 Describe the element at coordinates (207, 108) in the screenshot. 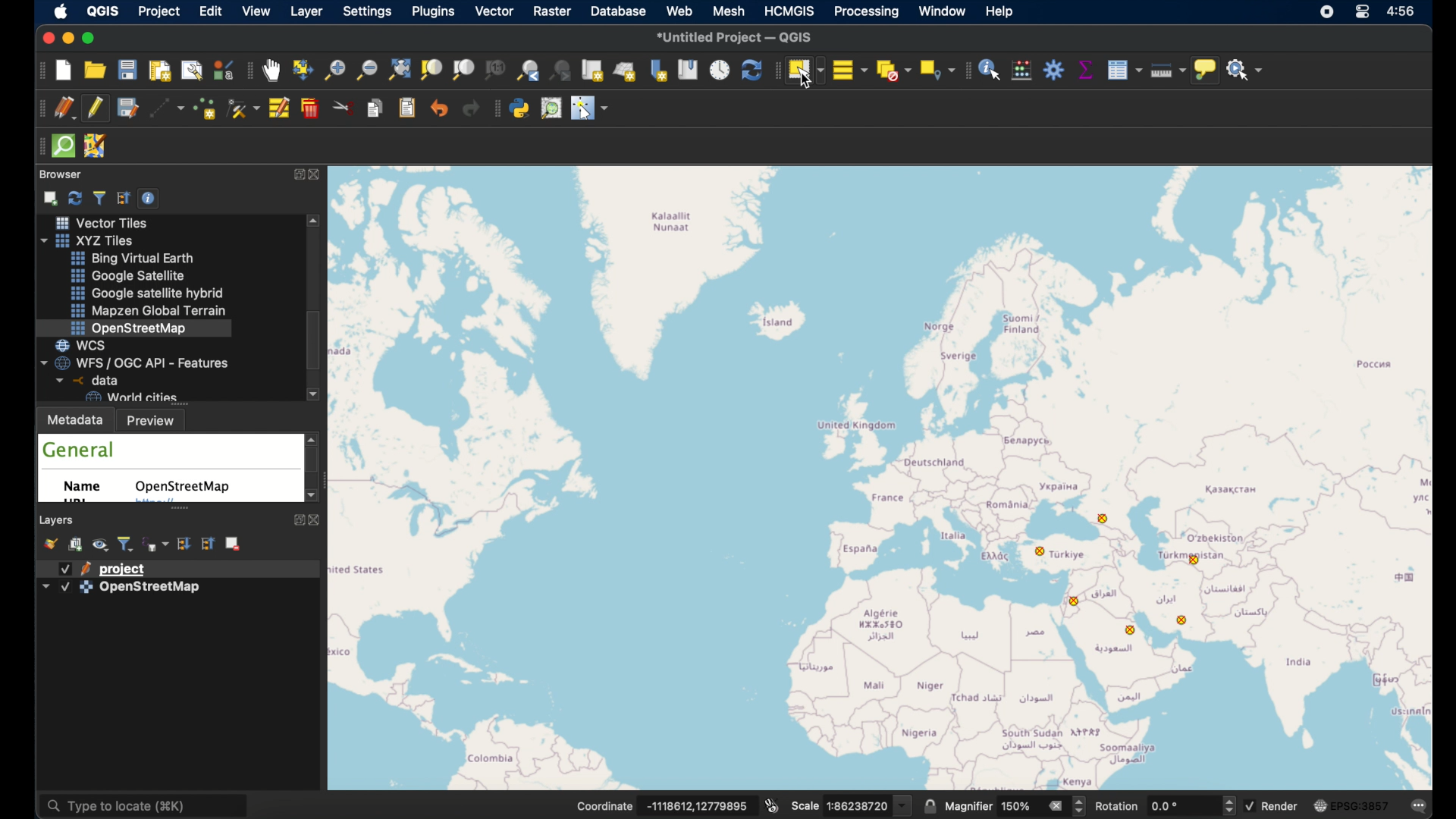

I see `add point feature` at that location.